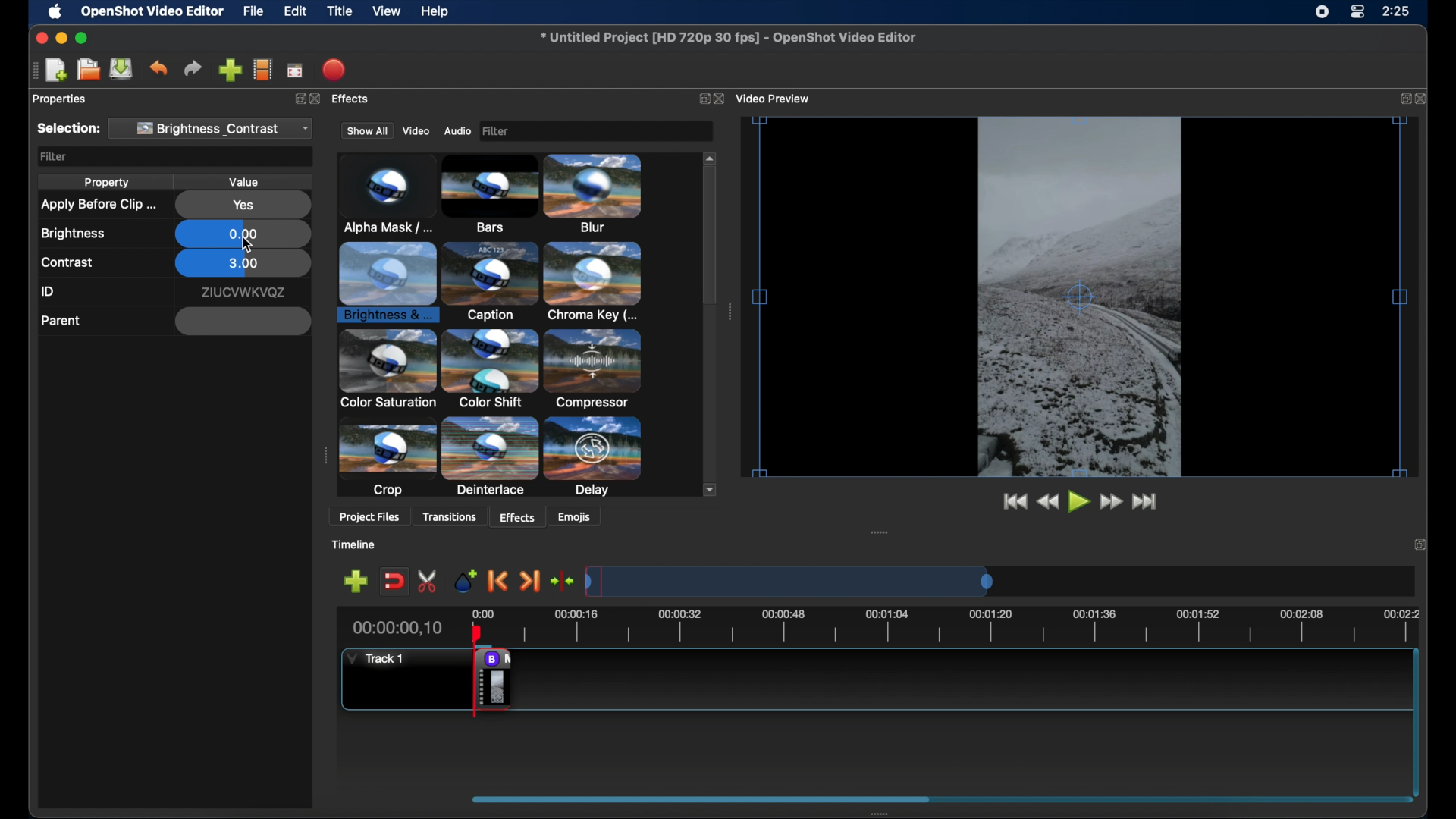 The image size is (1456, 819). What do you see at coordinates (121, 69) in the screenshot?
I see `save project files` at bounding box center [121, 69].